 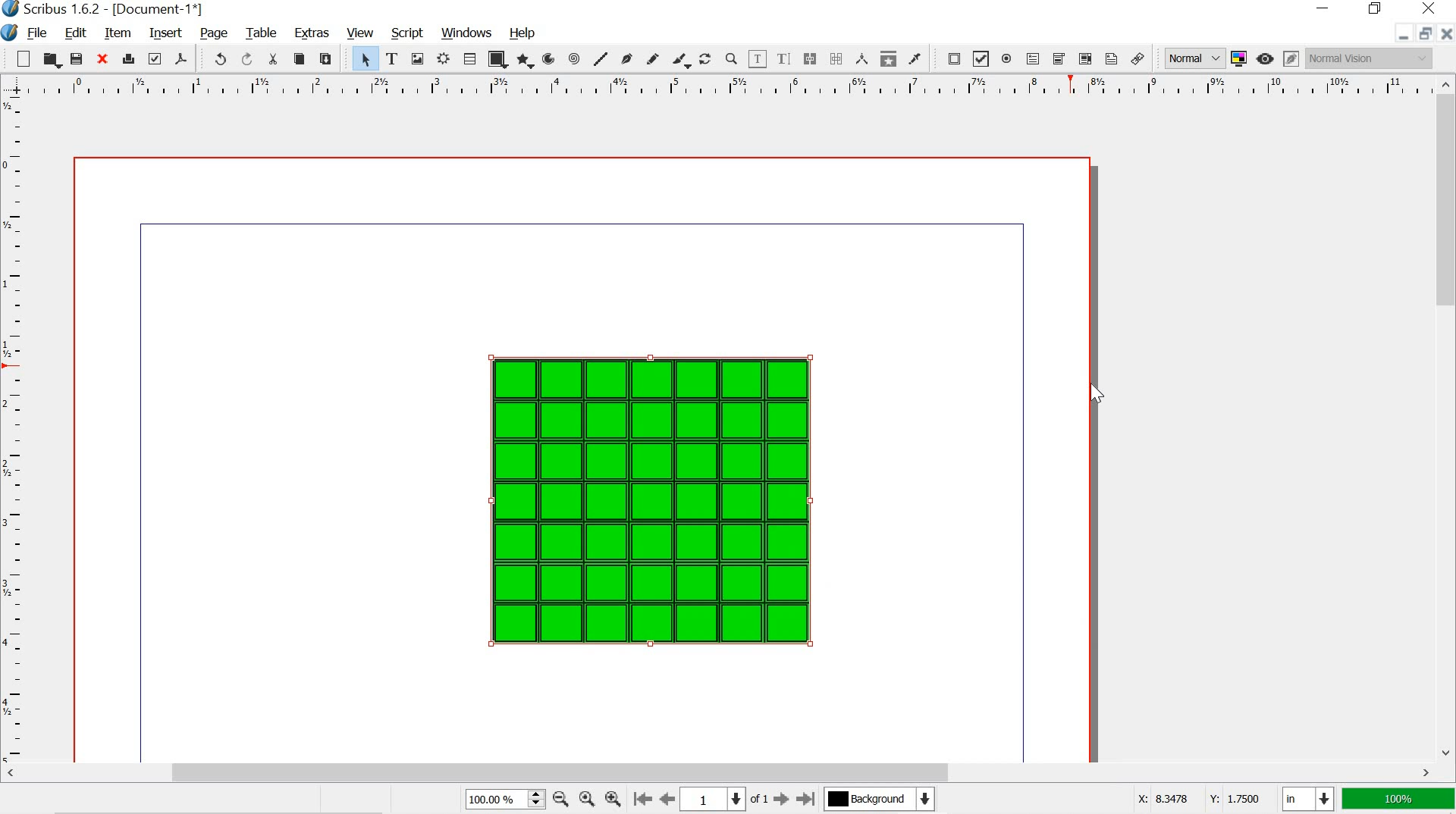 What do you see at coordinates (679, 59) in the screenshot?
I see `calligraphic line` at bounding box center [679, 59].